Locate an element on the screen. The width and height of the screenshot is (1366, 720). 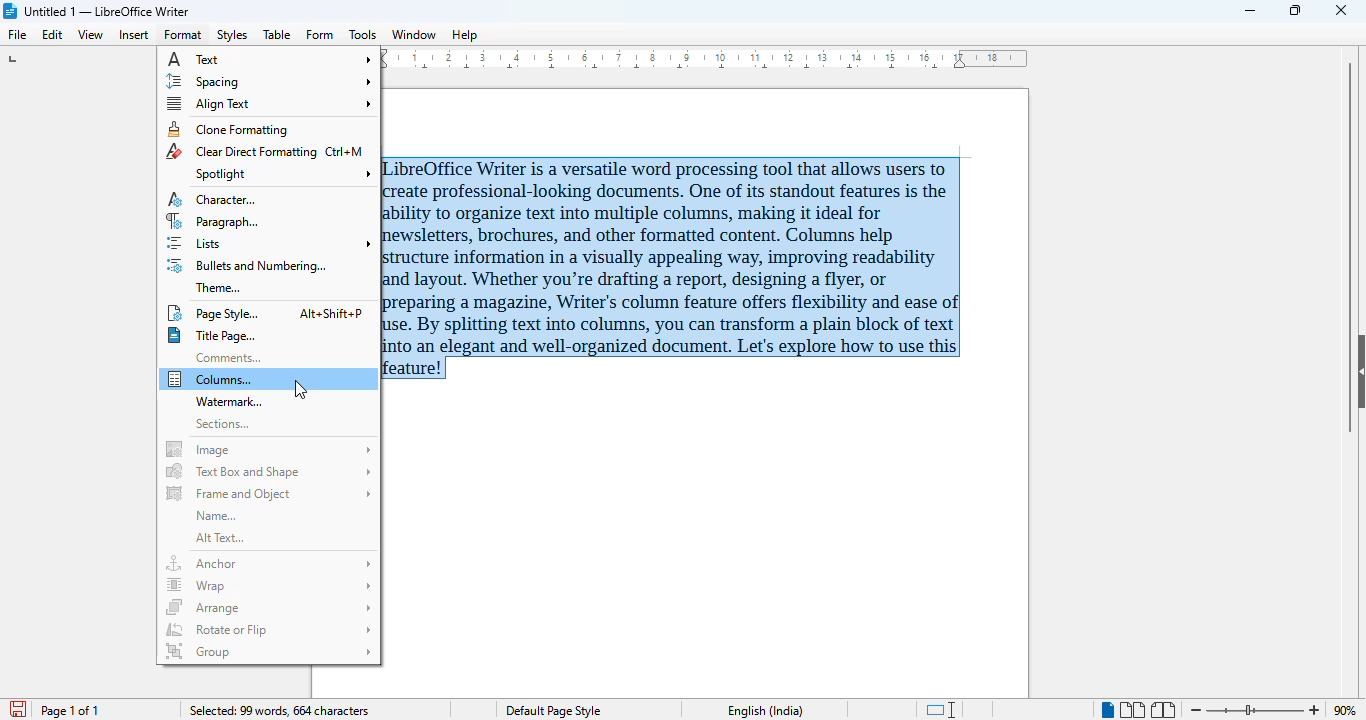
text box and shape is located at coordinates (270, 471).